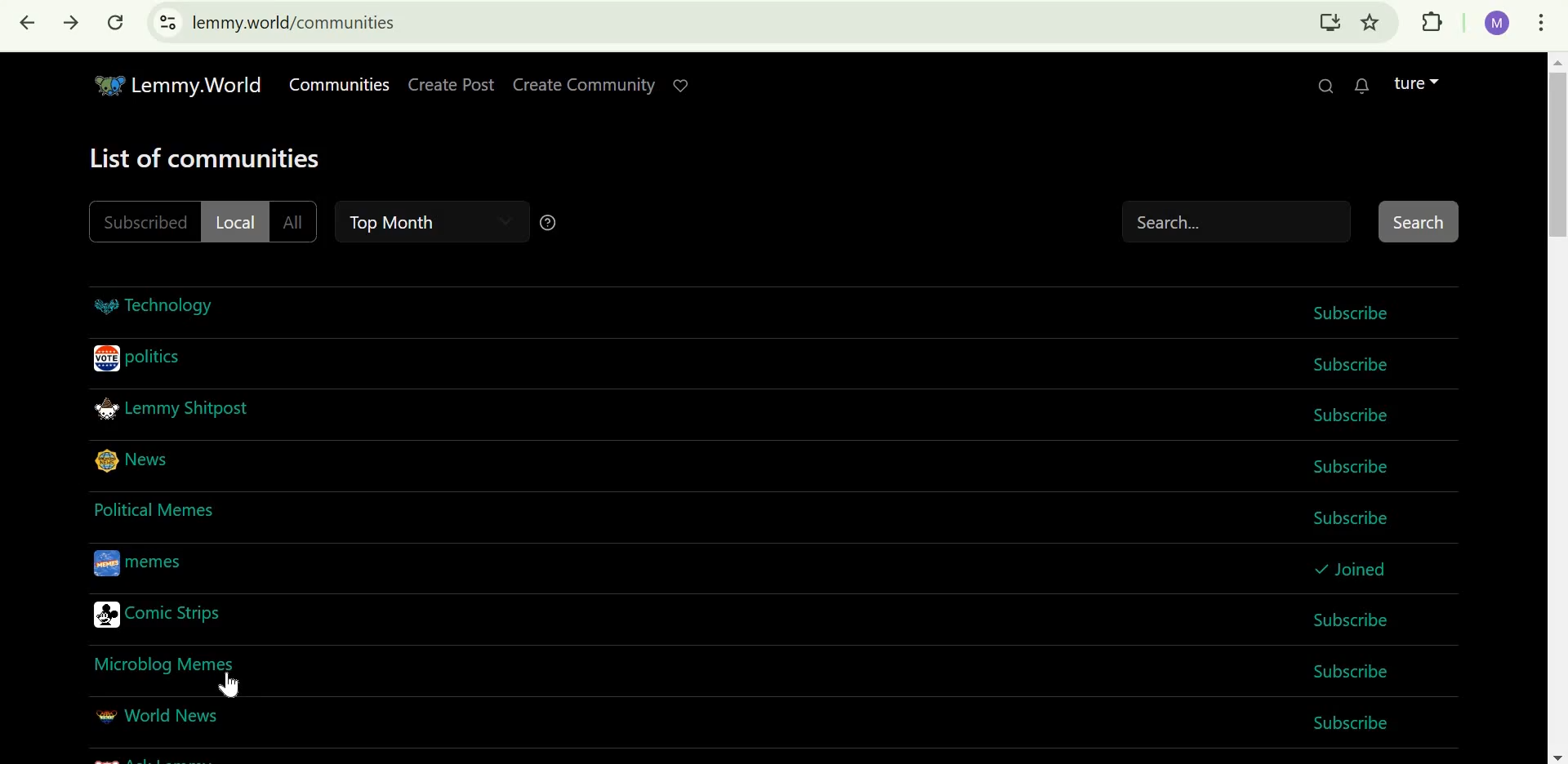  I want to click on customize and control google chrome, so click(1544, 21).